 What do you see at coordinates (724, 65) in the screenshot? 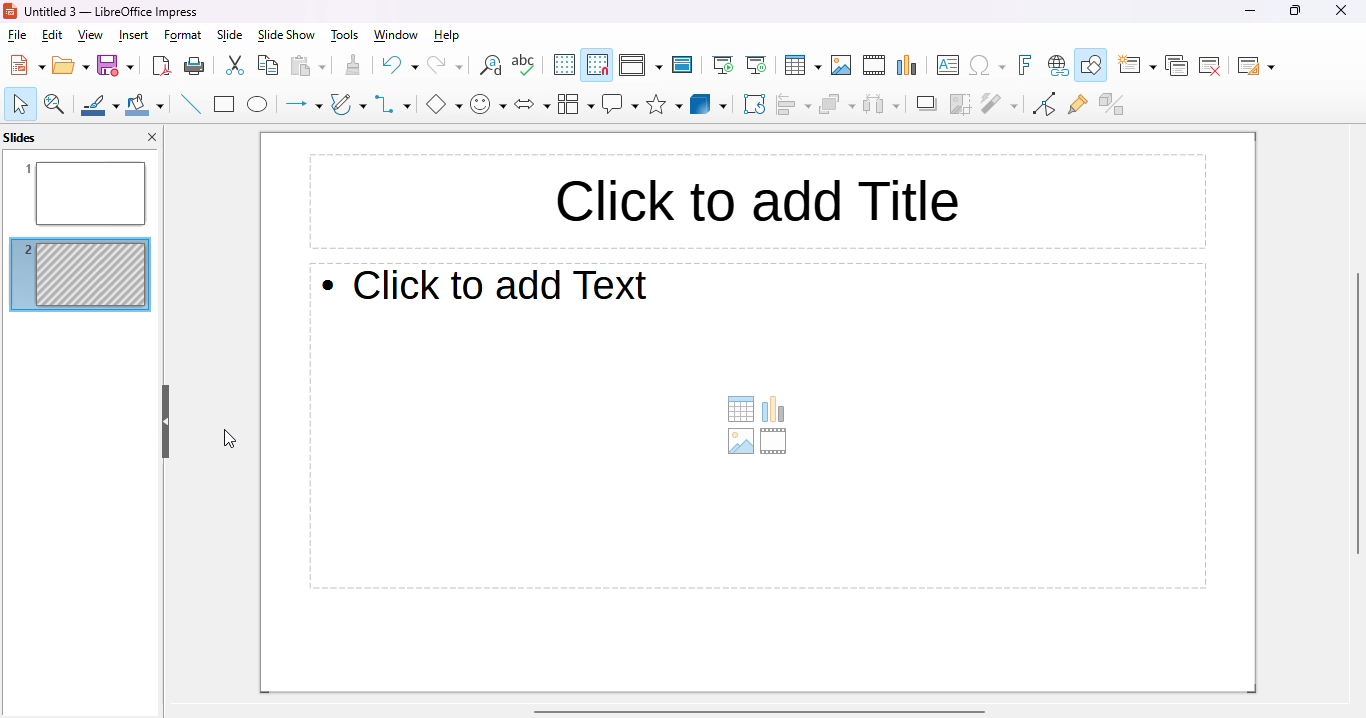
I see `start from first slide` at bounding box center [724, 65].